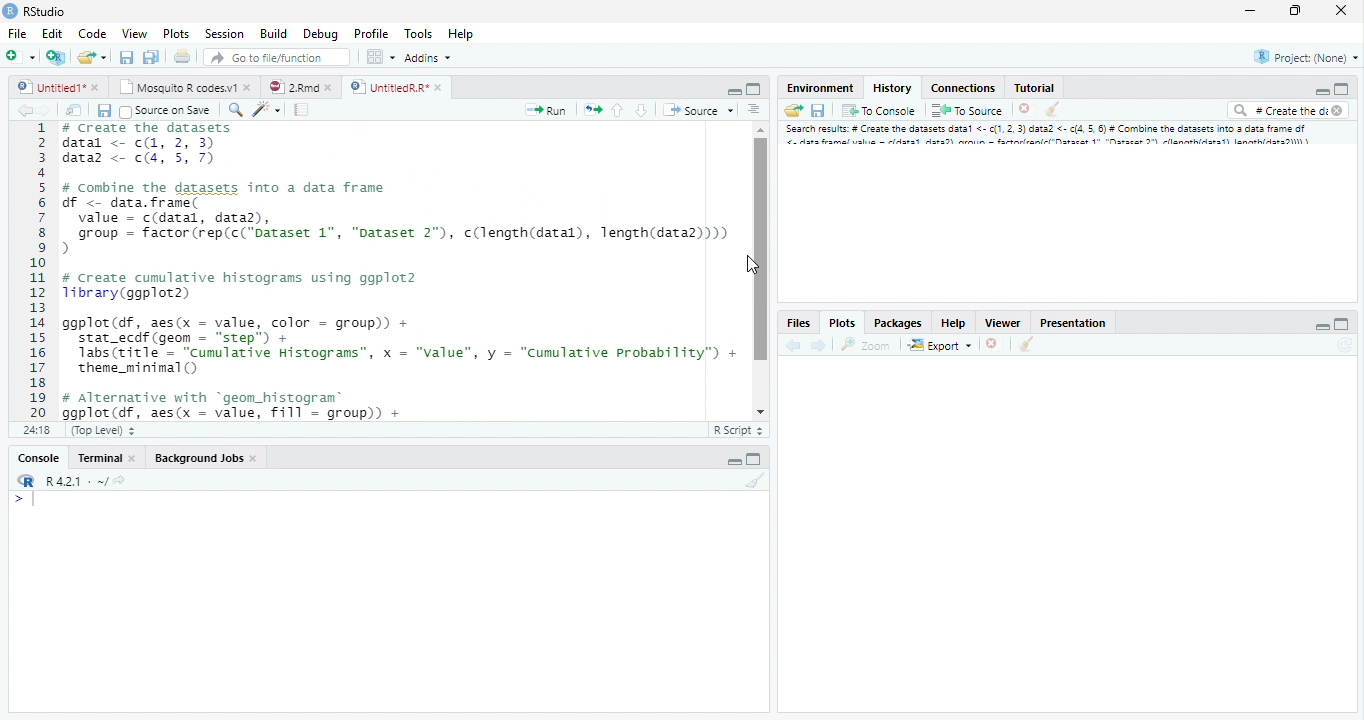 Image resolution: width=1364 pixels, height=720 pixels. I want to click on Connections, so click(964, 88).